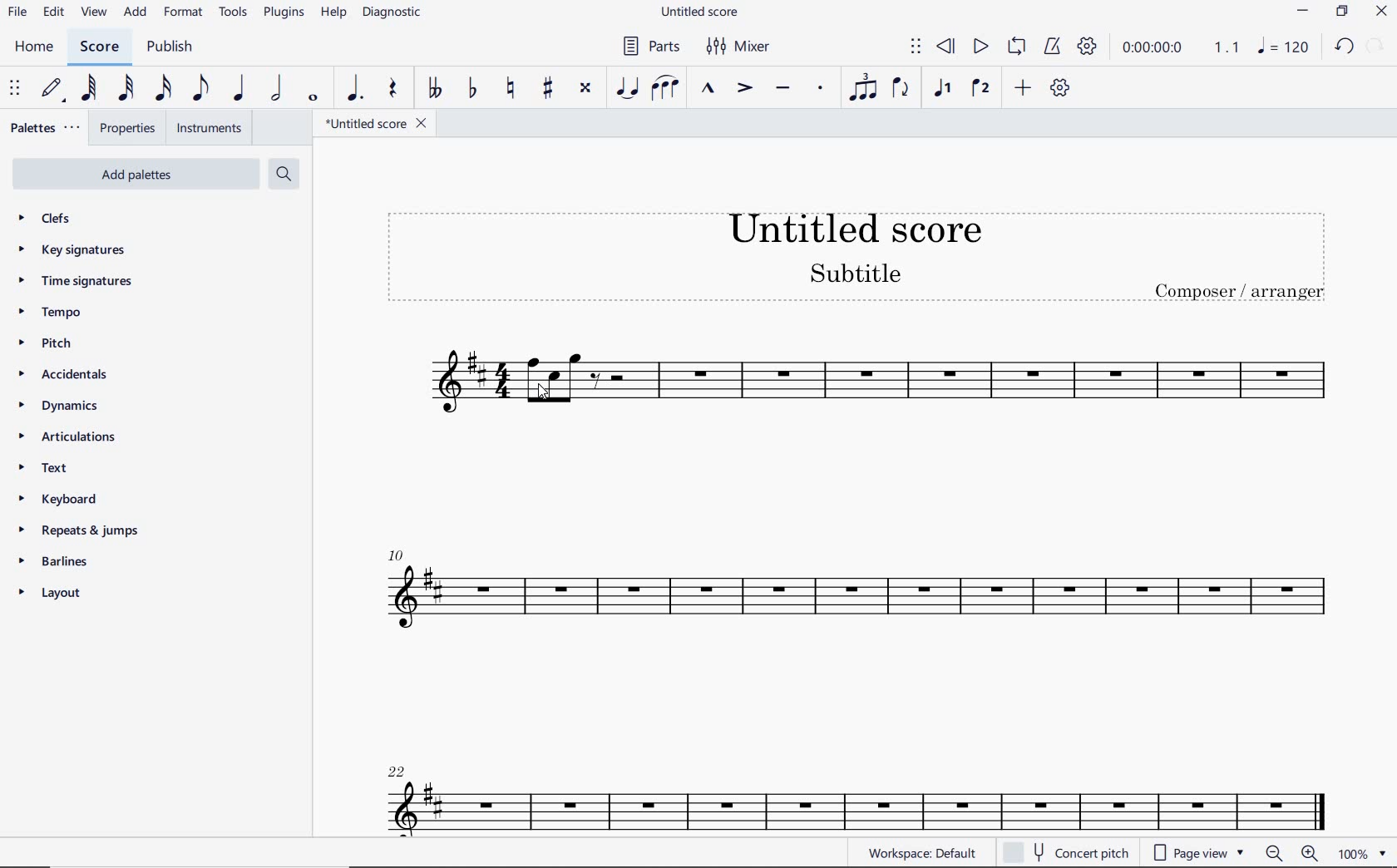 This screenshot has height=868, width=1397. I want to click on PLAY, so click(980, 47).